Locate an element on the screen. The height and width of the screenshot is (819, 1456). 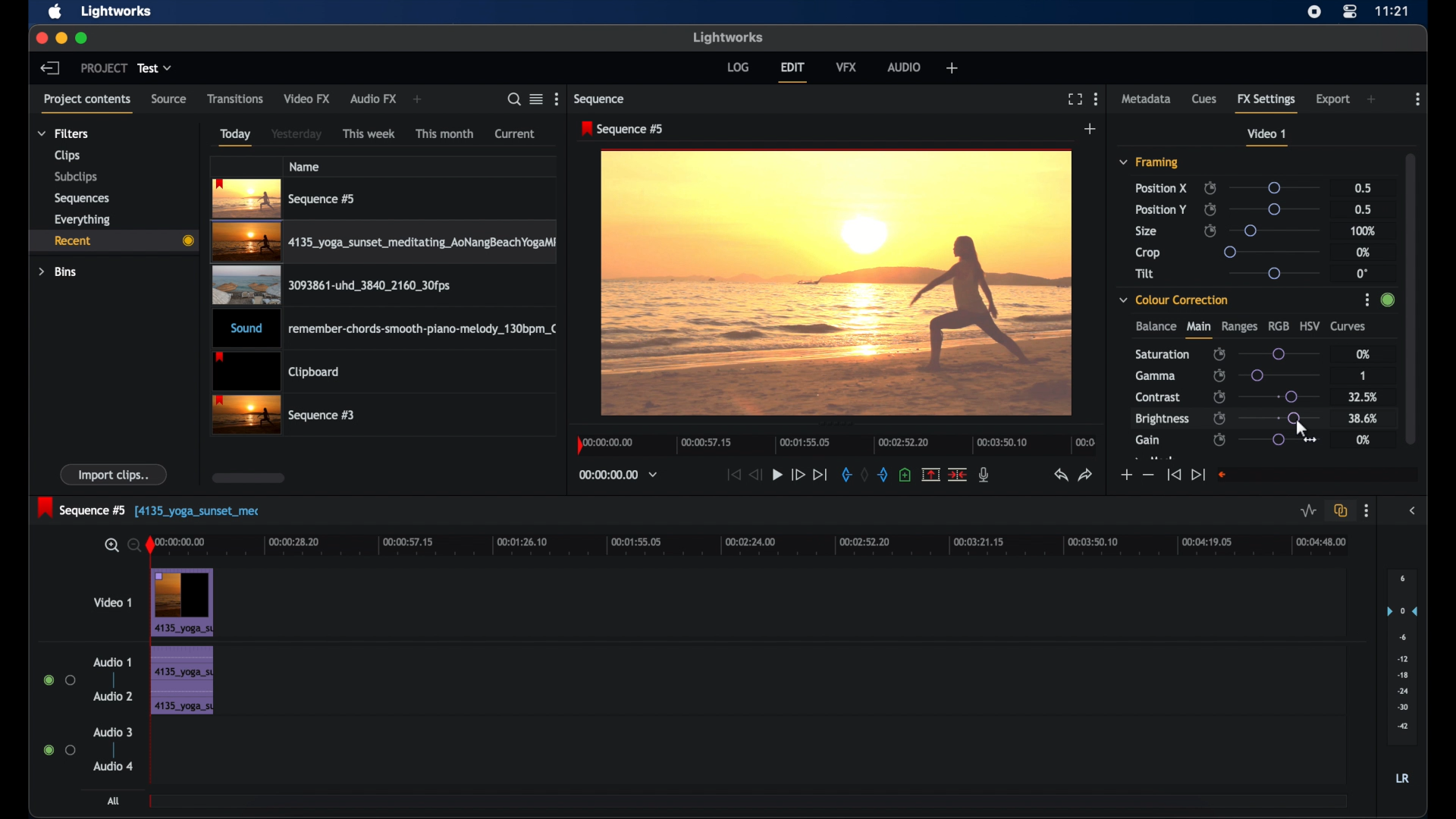
jump to start is located at coordinates (732, 474).